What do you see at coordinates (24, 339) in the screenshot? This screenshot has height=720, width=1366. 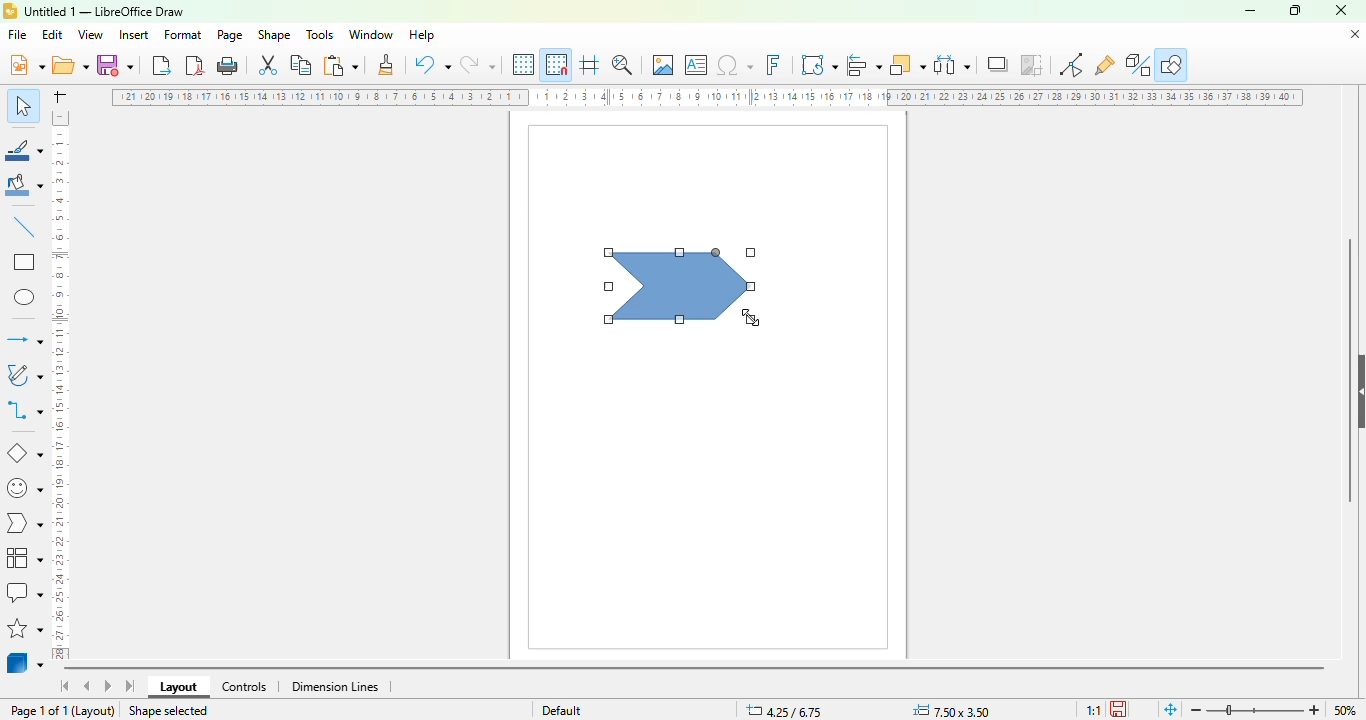 I see `lines and arrows` at bounding box center [24, 339].